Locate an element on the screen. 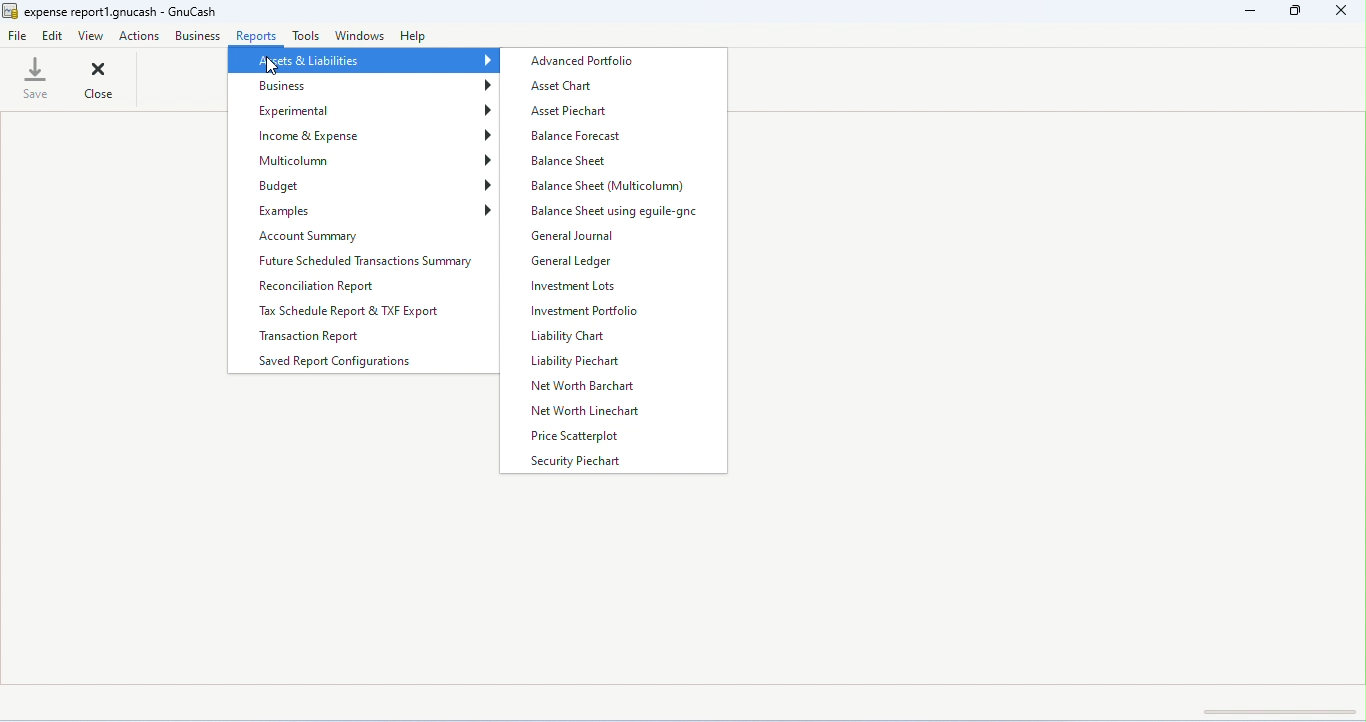  minimize is located at coordinates (1248, 12).